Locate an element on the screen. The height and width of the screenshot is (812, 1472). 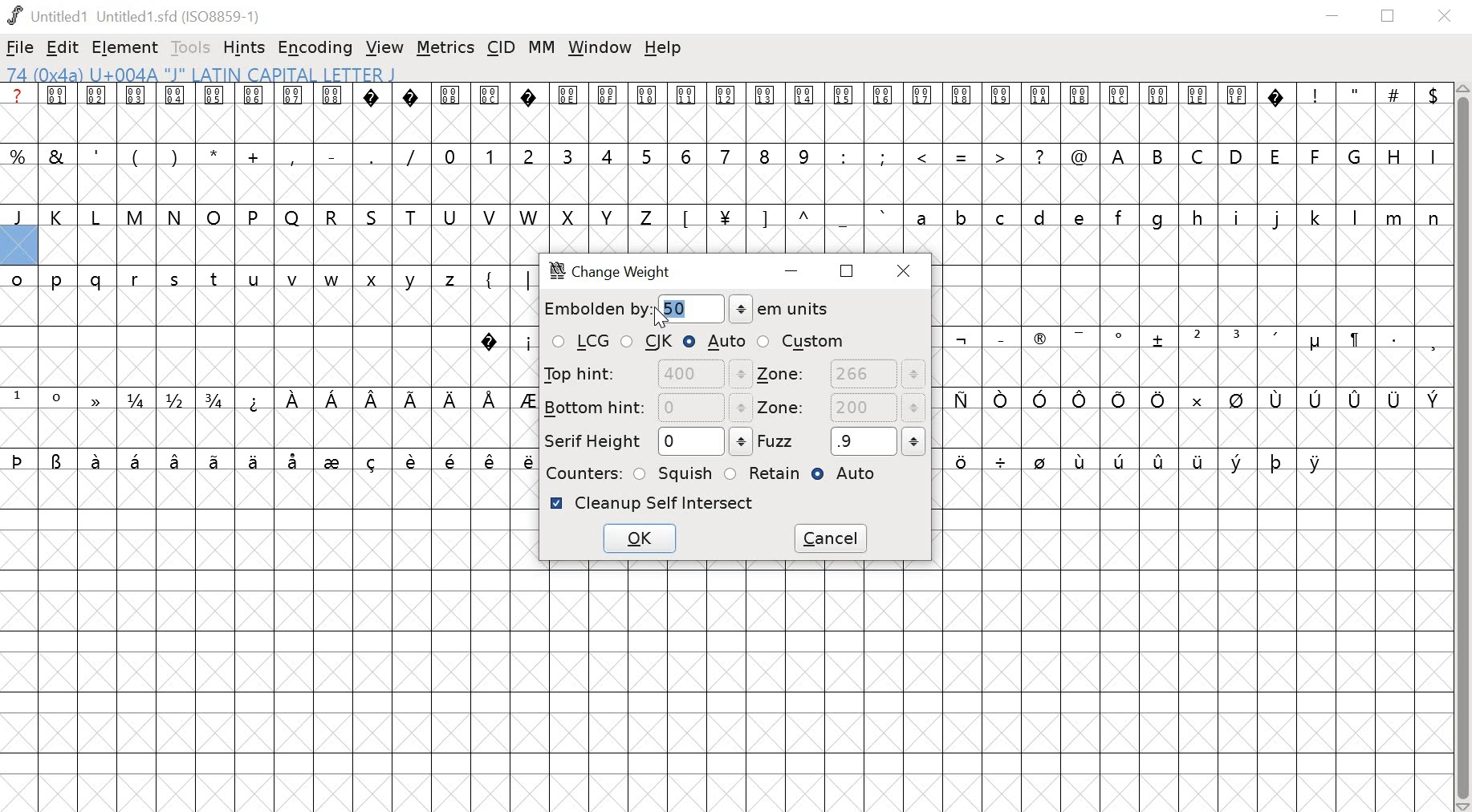
special characters is located at coordinates (1368, 95).